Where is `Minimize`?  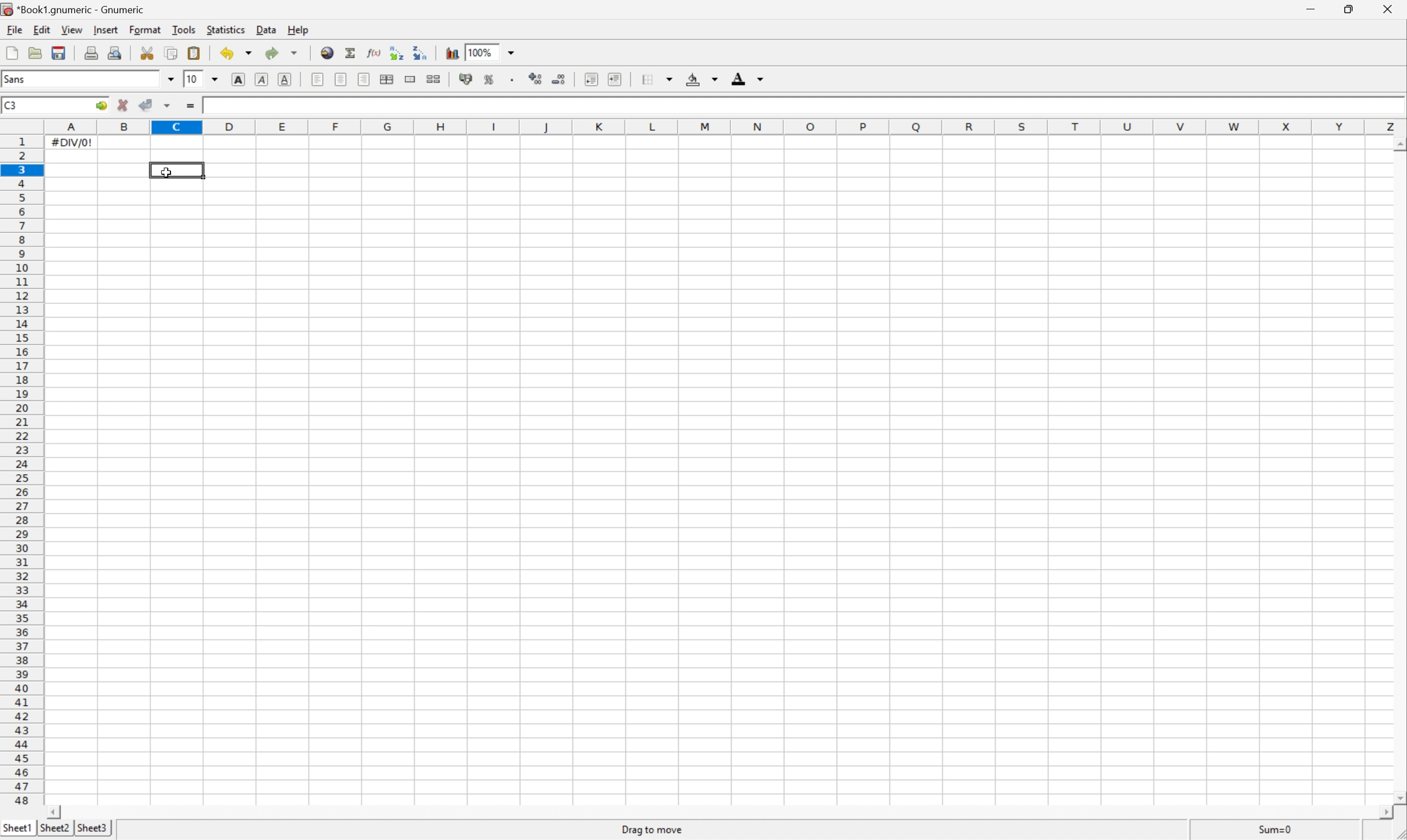
Minimize is located at coordinates (1310, 10).